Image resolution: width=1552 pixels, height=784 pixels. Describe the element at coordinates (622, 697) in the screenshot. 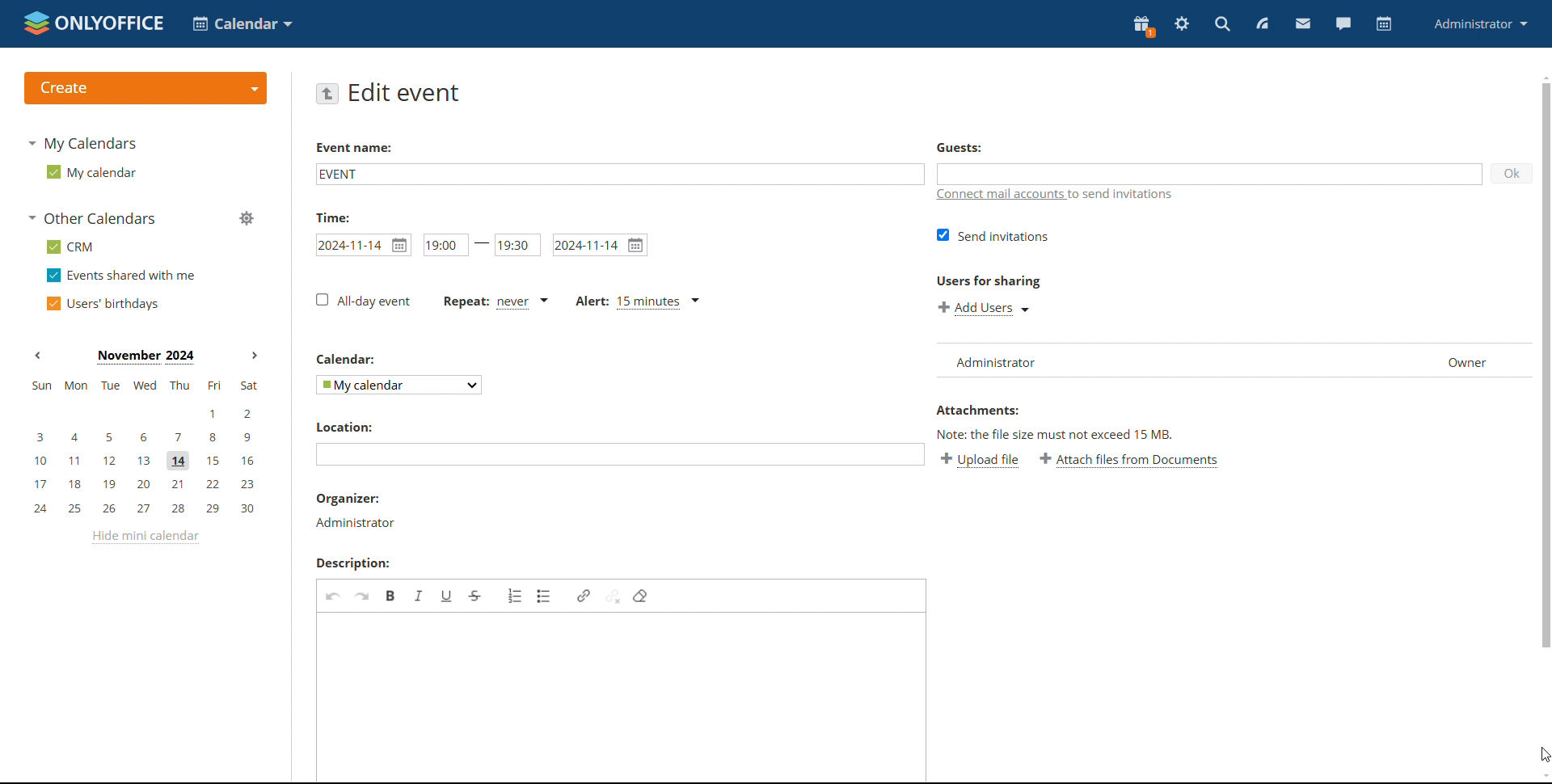

I see `edit description` at that location.